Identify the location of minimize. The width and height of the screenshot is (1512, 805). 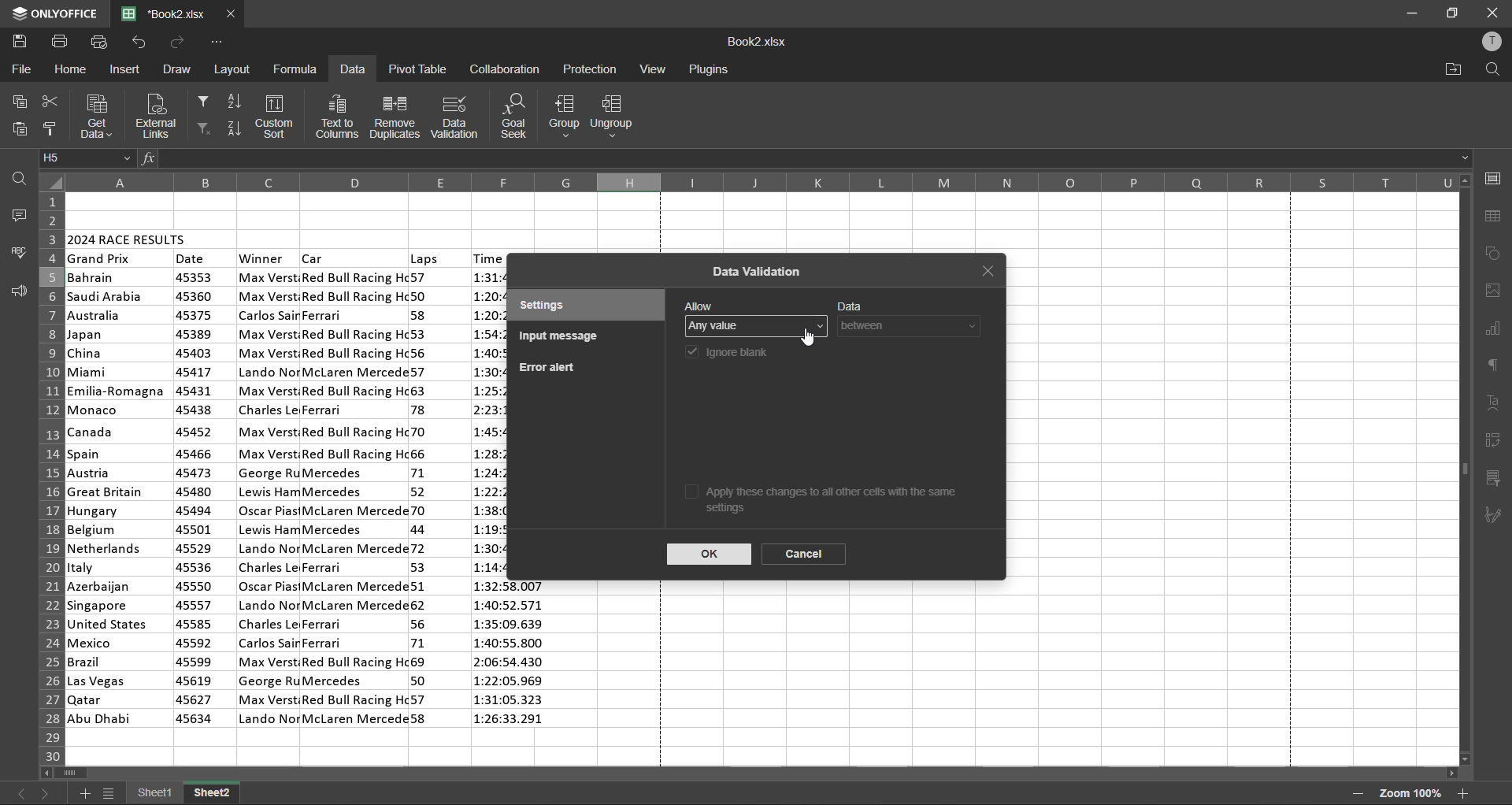
(1411, 14).